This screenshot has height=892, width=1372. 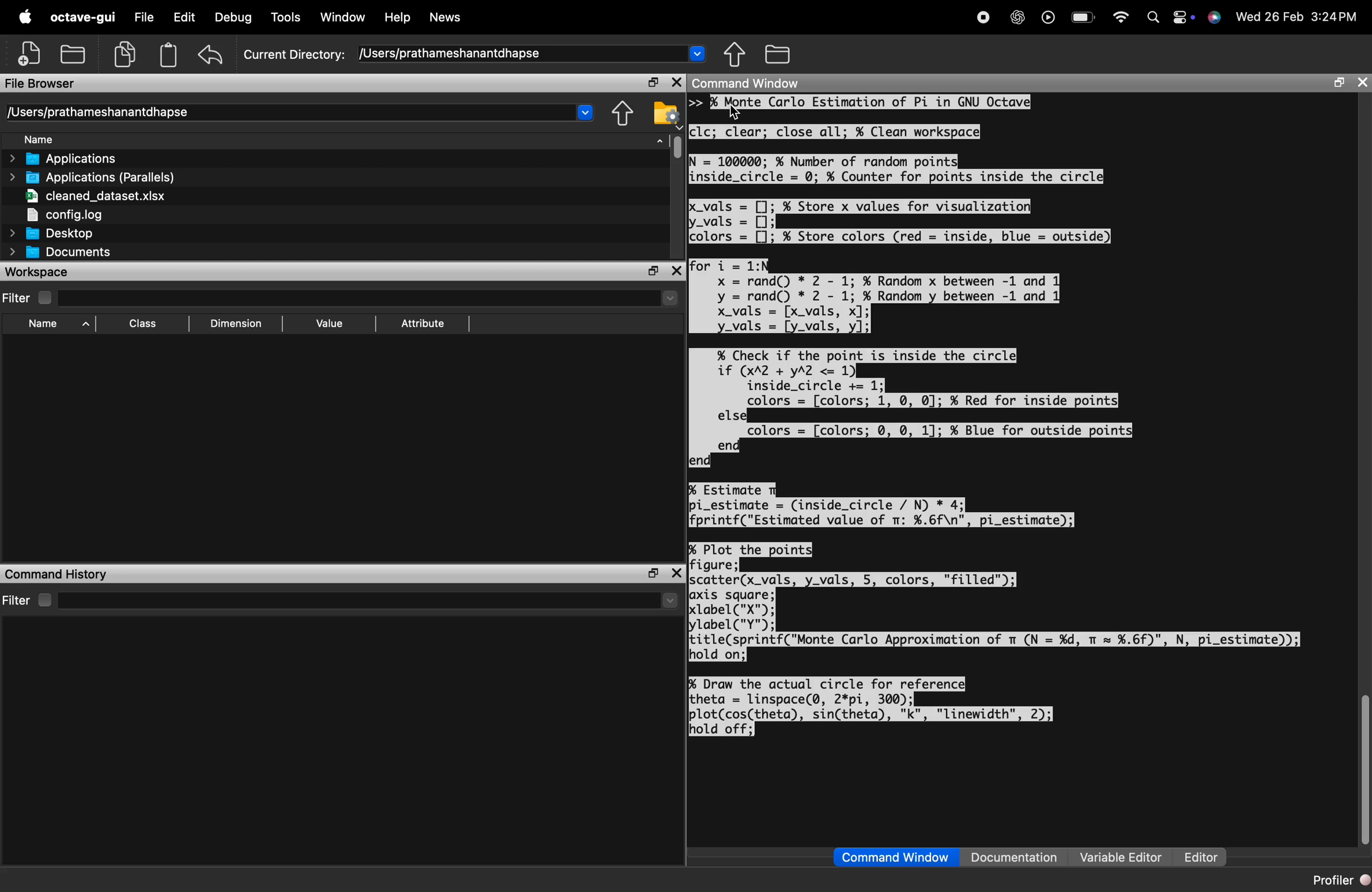 I want to click on drop down, so click(x=669, y=601).